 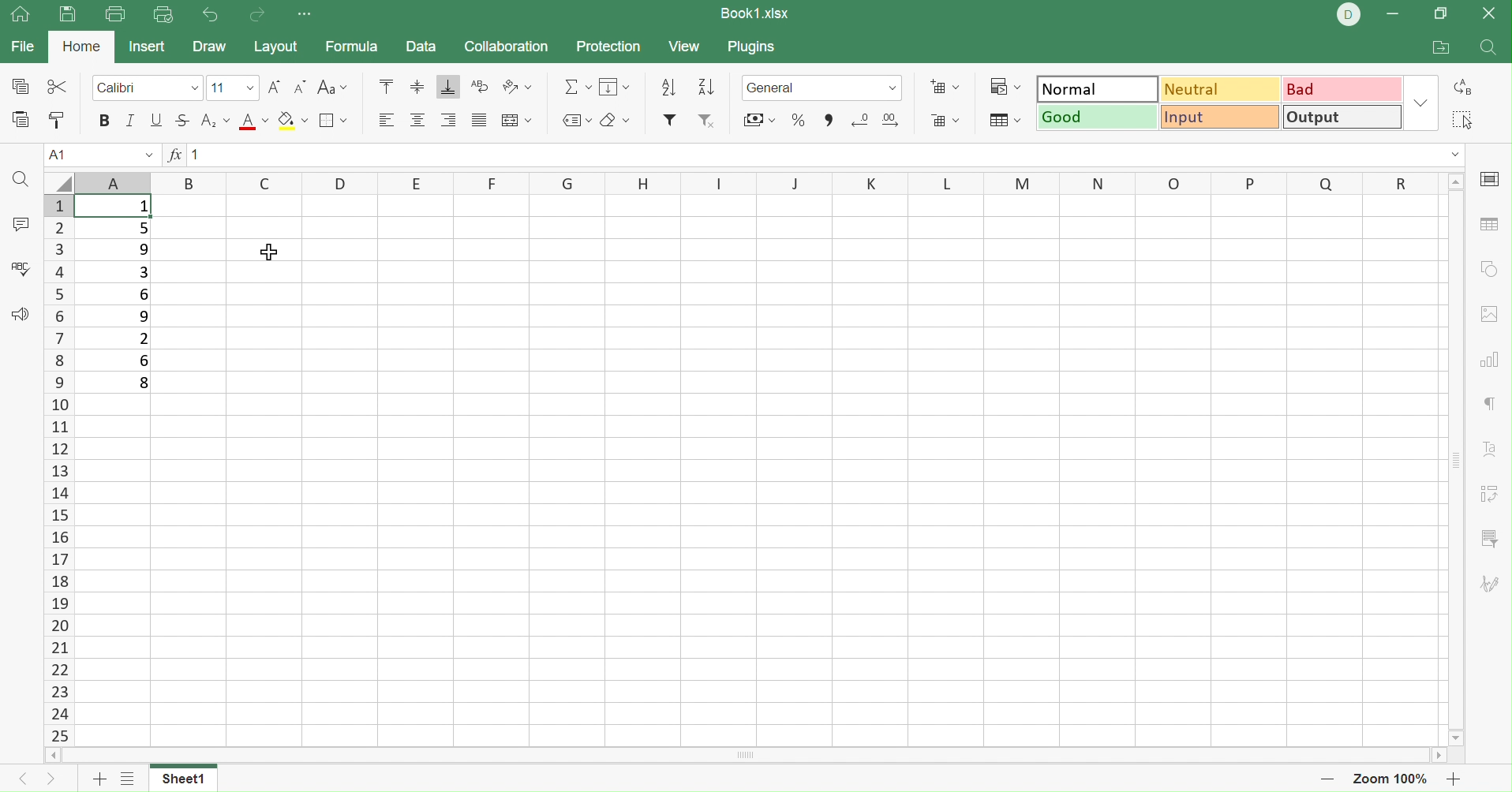 I want to click on Zoom 100%, so click(x=1394, y=779).